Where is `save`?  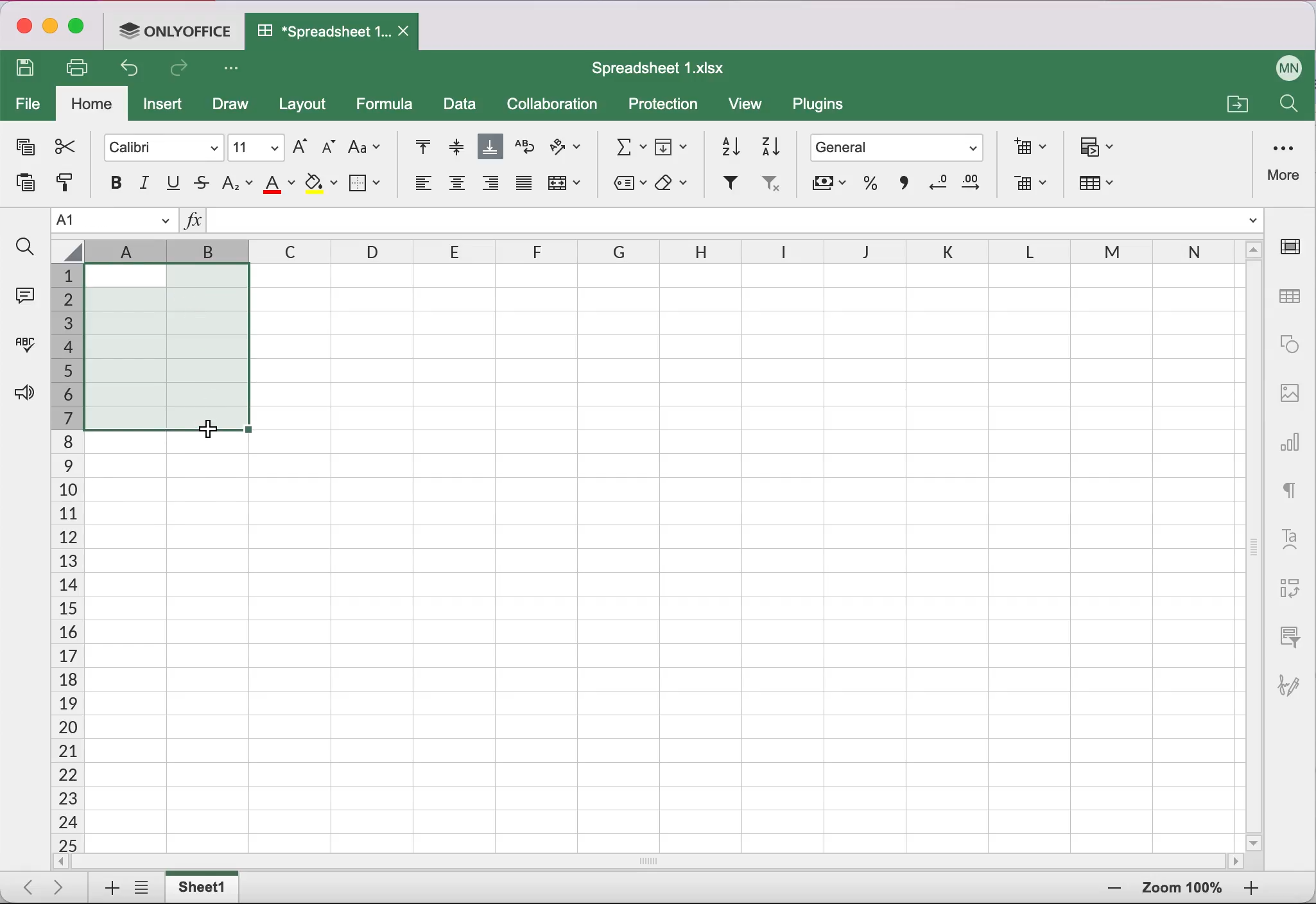 save is located at coordinates (29, 69).